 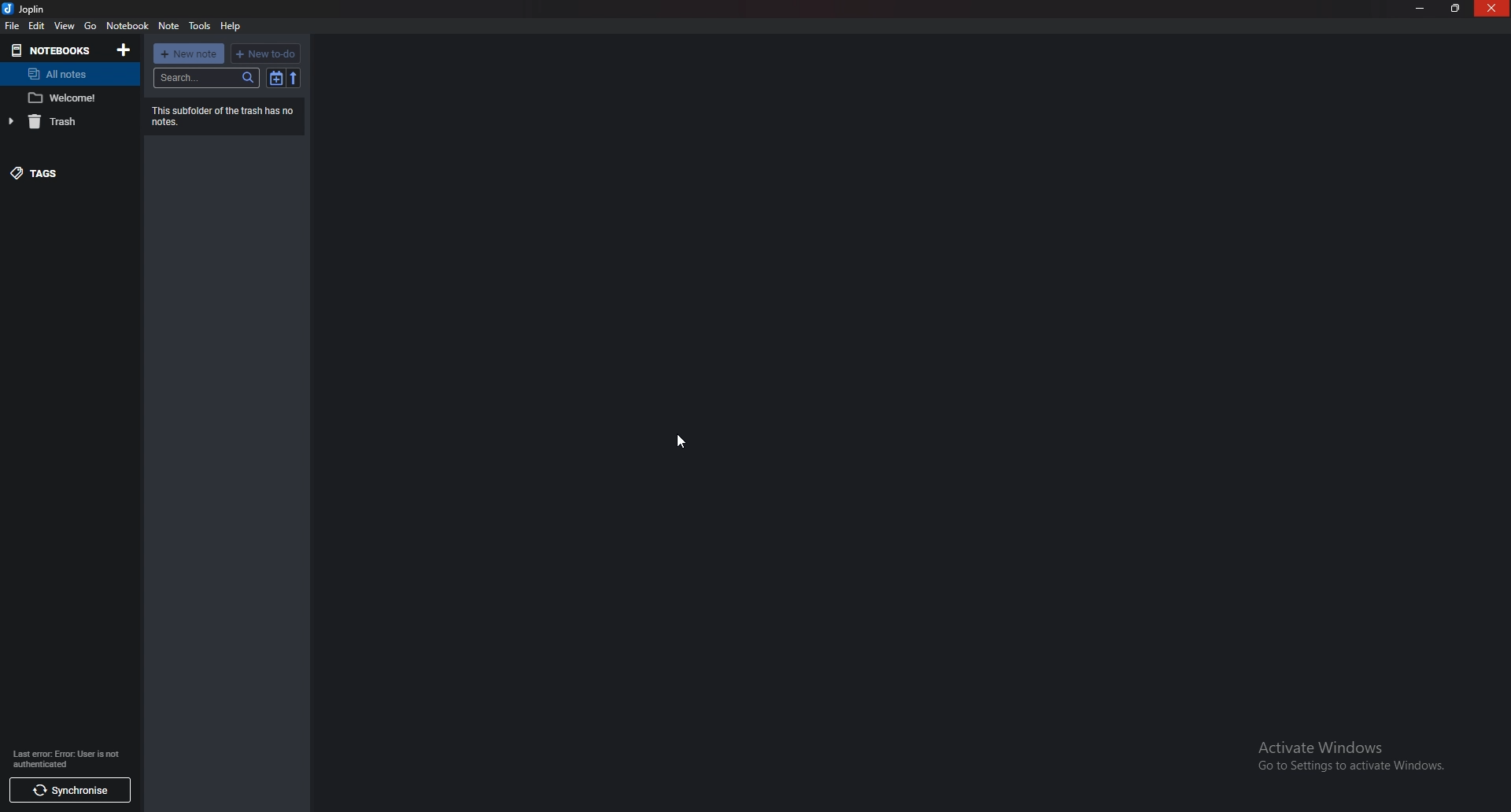 I want to click on Synchronize, so click(x=72, y=791).